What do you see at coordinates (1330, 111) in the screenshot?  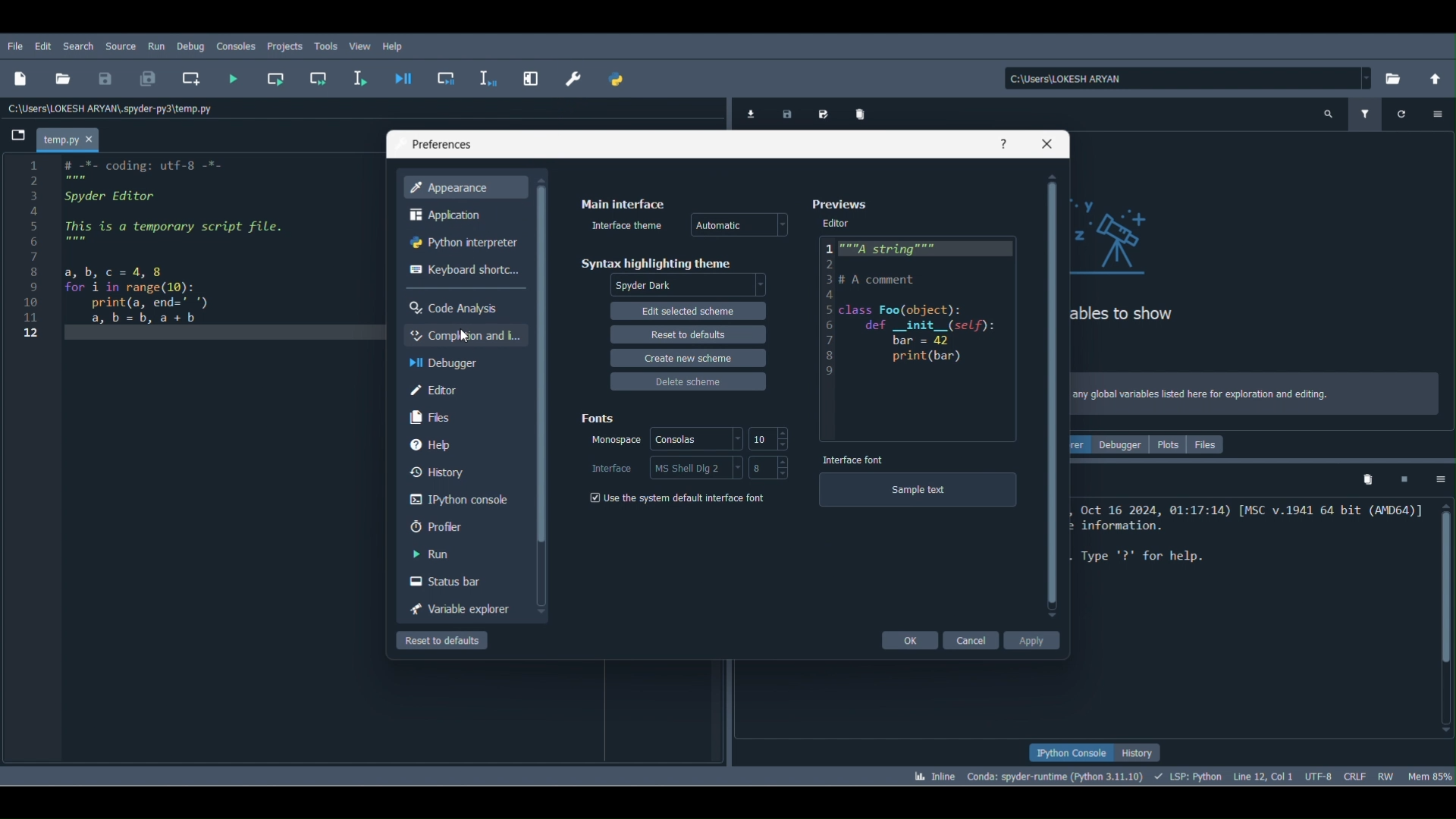 I see `search variables ` at bounding box center [1330, 111].